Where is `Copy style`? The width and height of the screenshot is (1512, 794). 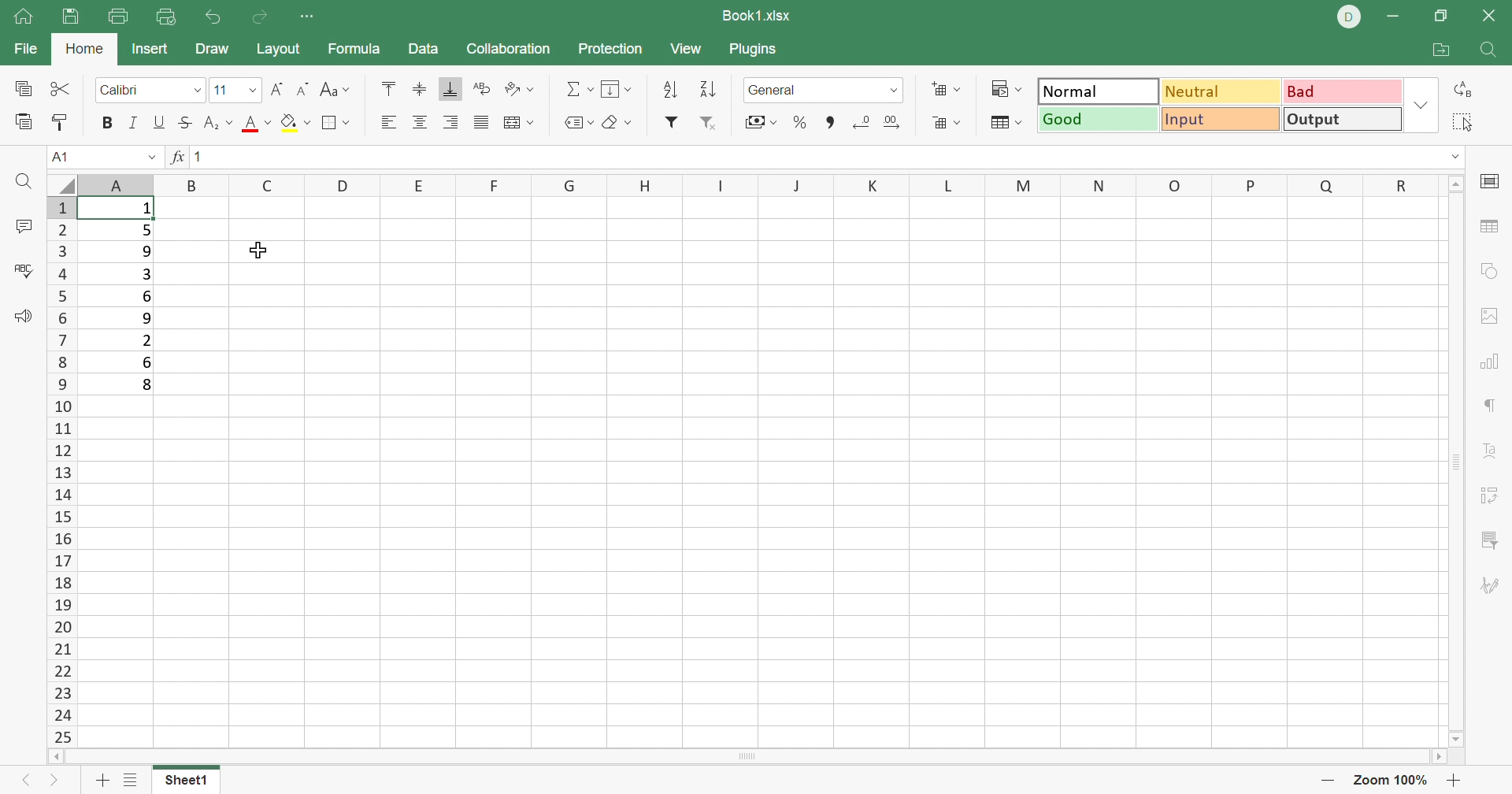 Copy style is located at coordinates (61, 121).